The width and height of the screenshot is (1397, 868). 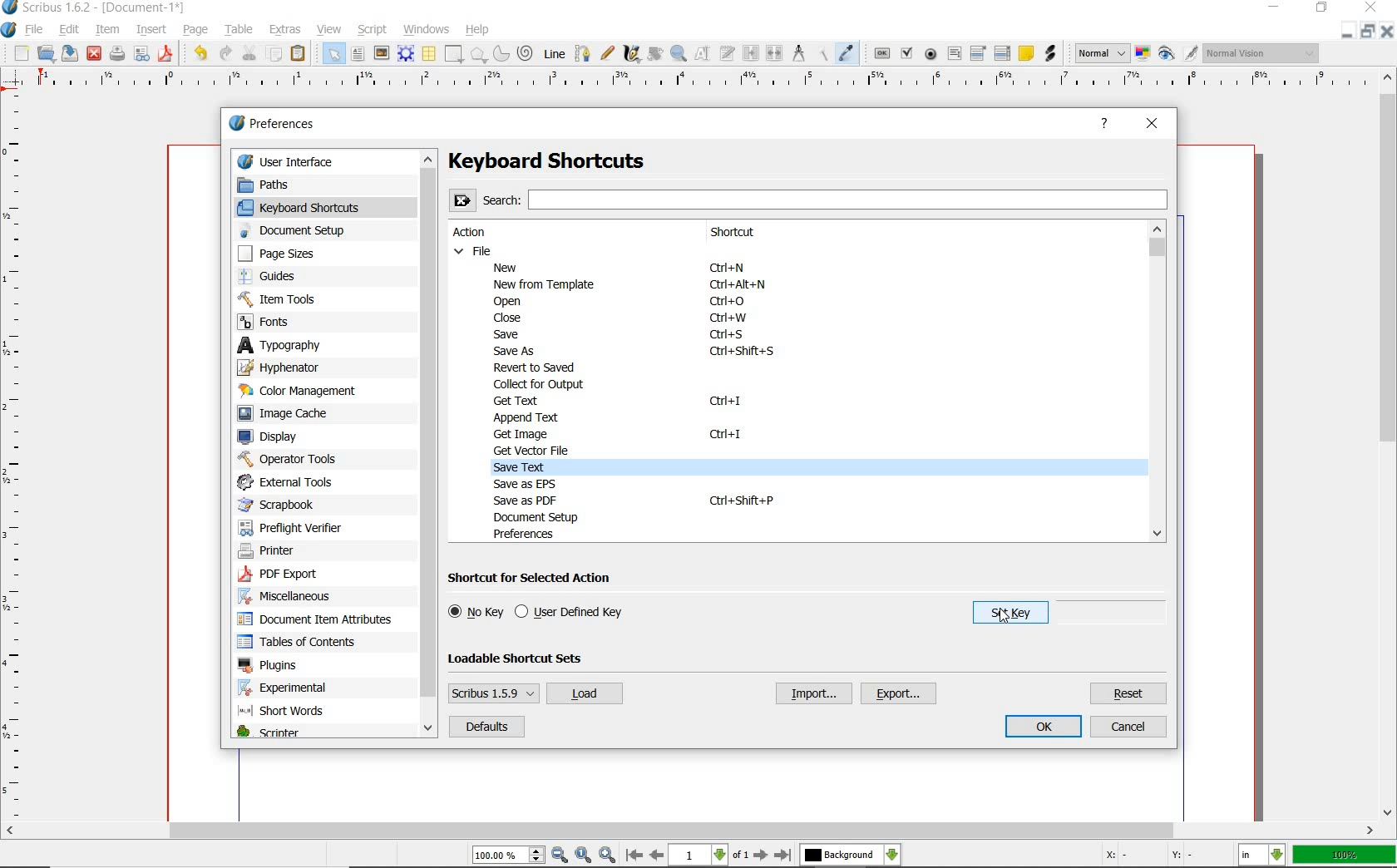 I want to click on document setup, so click(x=550, y=517).